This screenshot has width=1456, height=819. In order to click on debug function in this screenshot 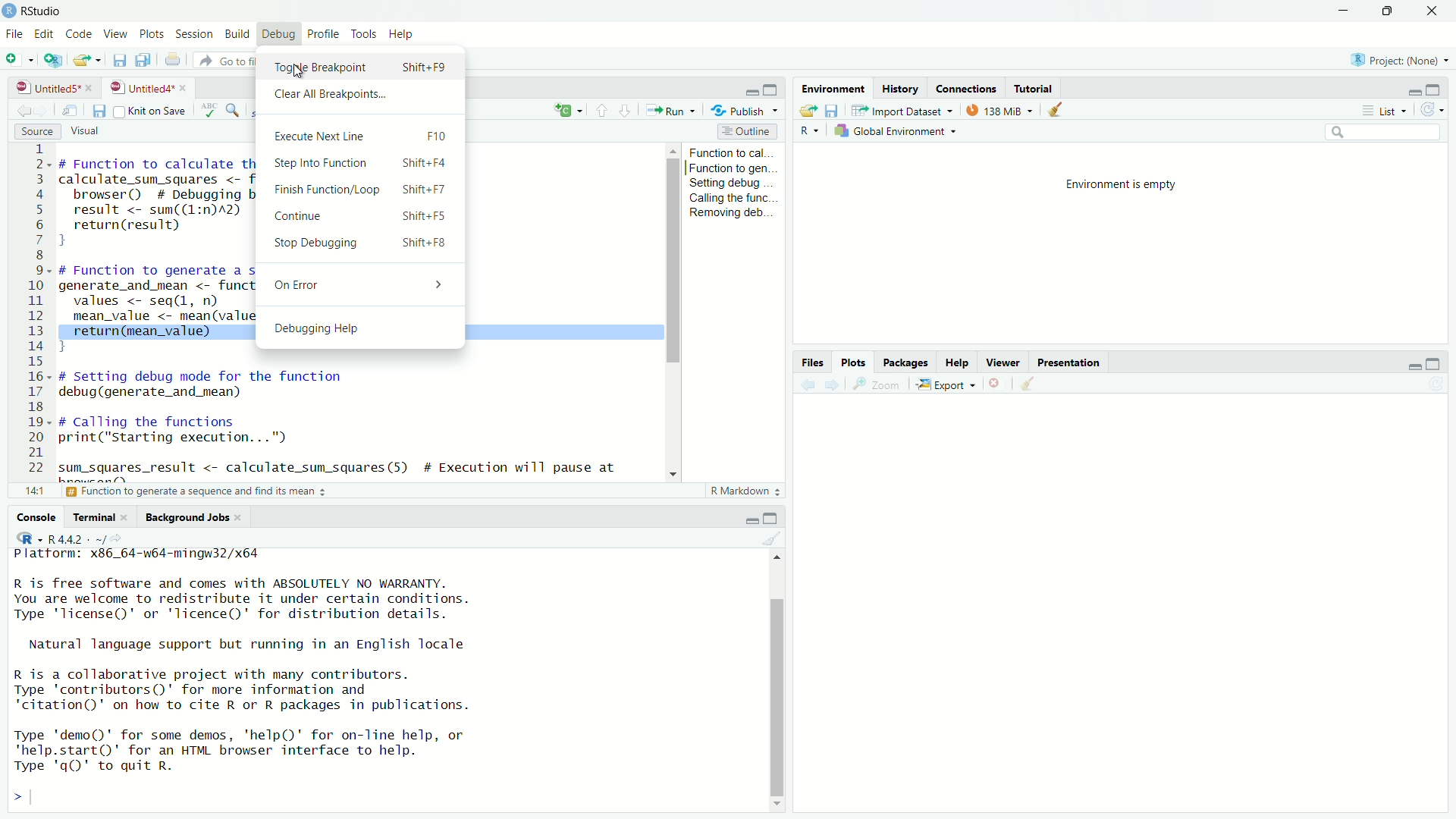, I will do `click(227, 386)`.